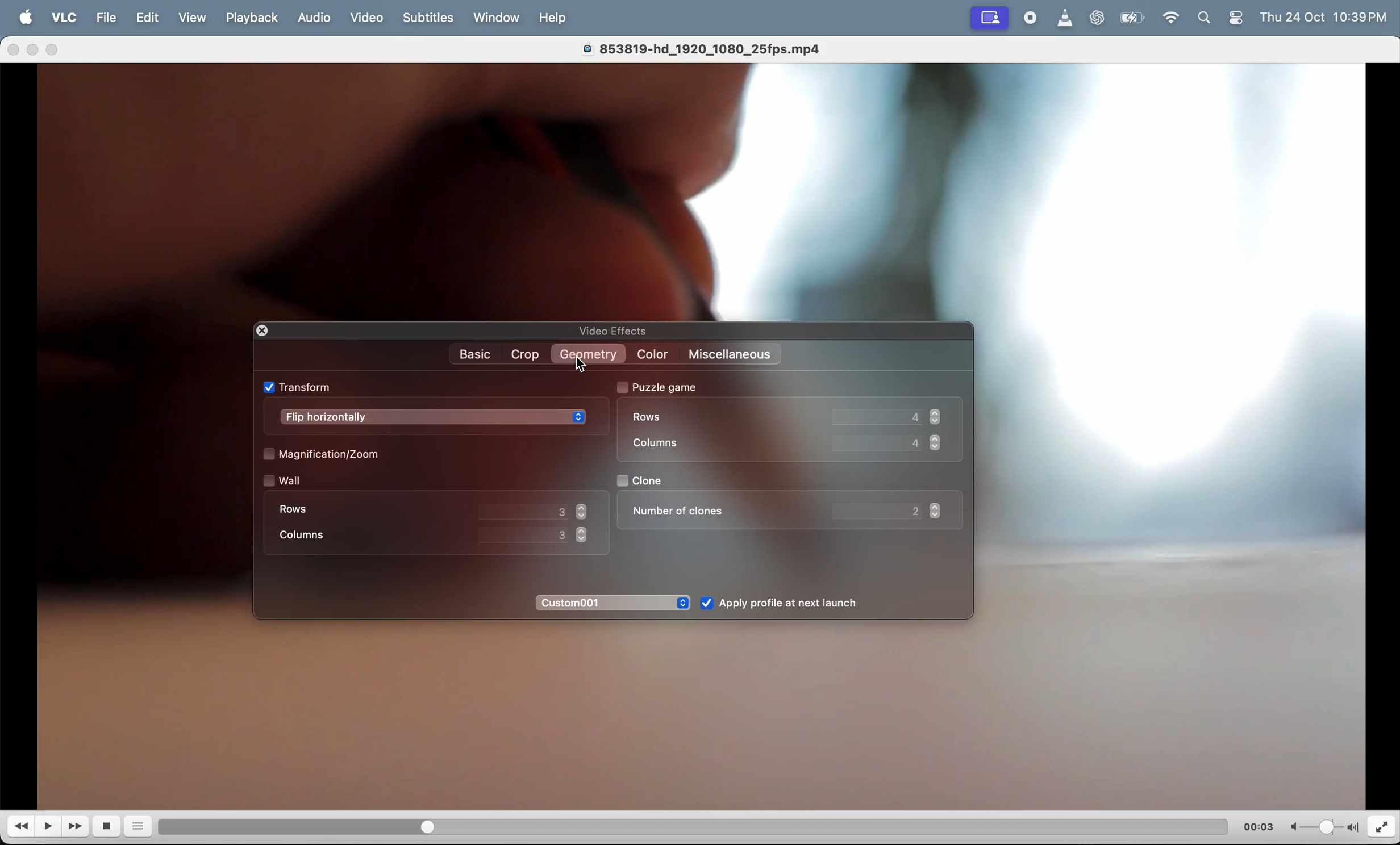  What do you see at coordinates (1065, 19) in the screenshot?
I see `vlc icon` at bounding box center [1065, 19].